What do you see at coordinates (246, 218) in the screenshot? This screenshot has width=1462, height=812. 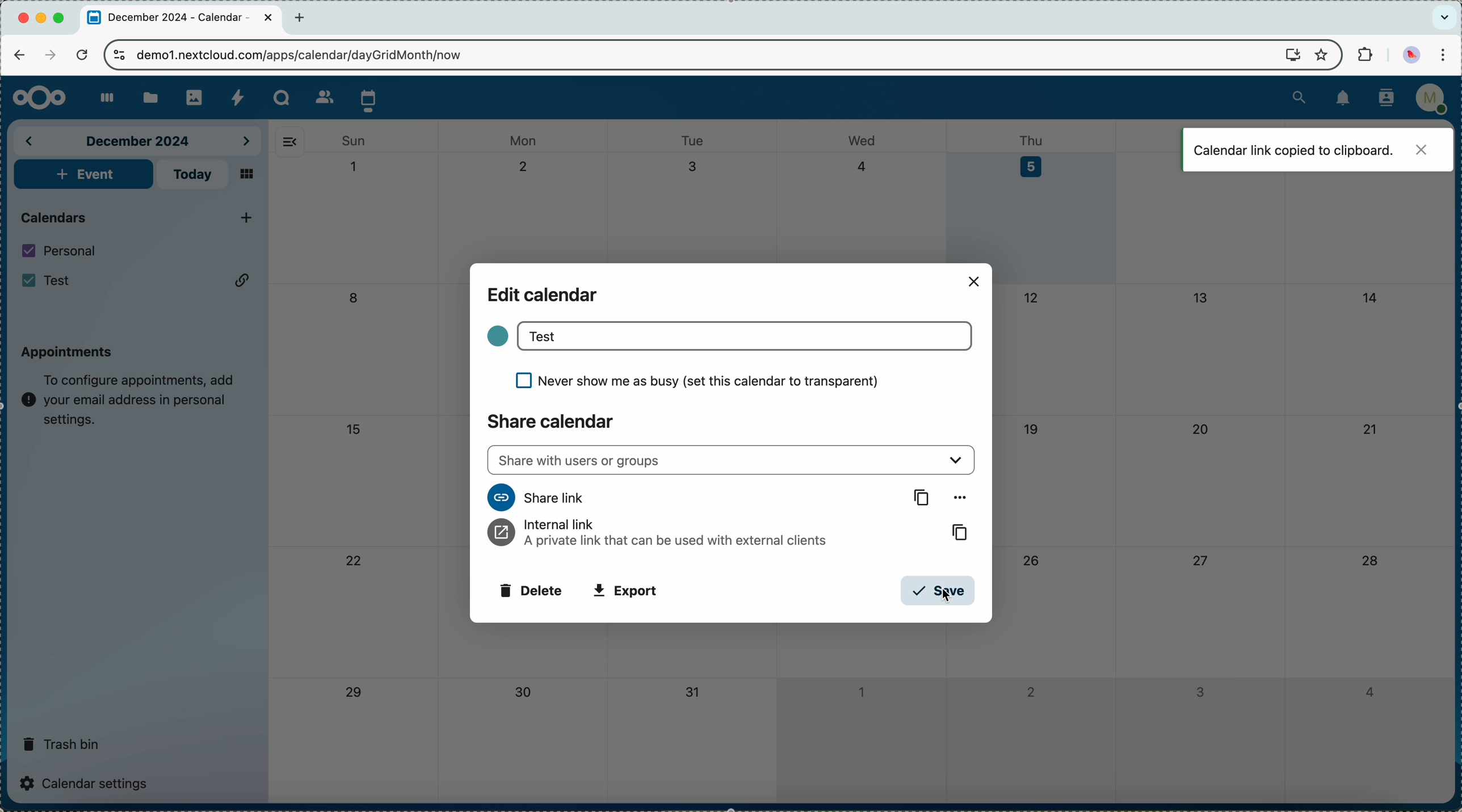 I see `click on add new calendar` at bounding box center [246, 218].